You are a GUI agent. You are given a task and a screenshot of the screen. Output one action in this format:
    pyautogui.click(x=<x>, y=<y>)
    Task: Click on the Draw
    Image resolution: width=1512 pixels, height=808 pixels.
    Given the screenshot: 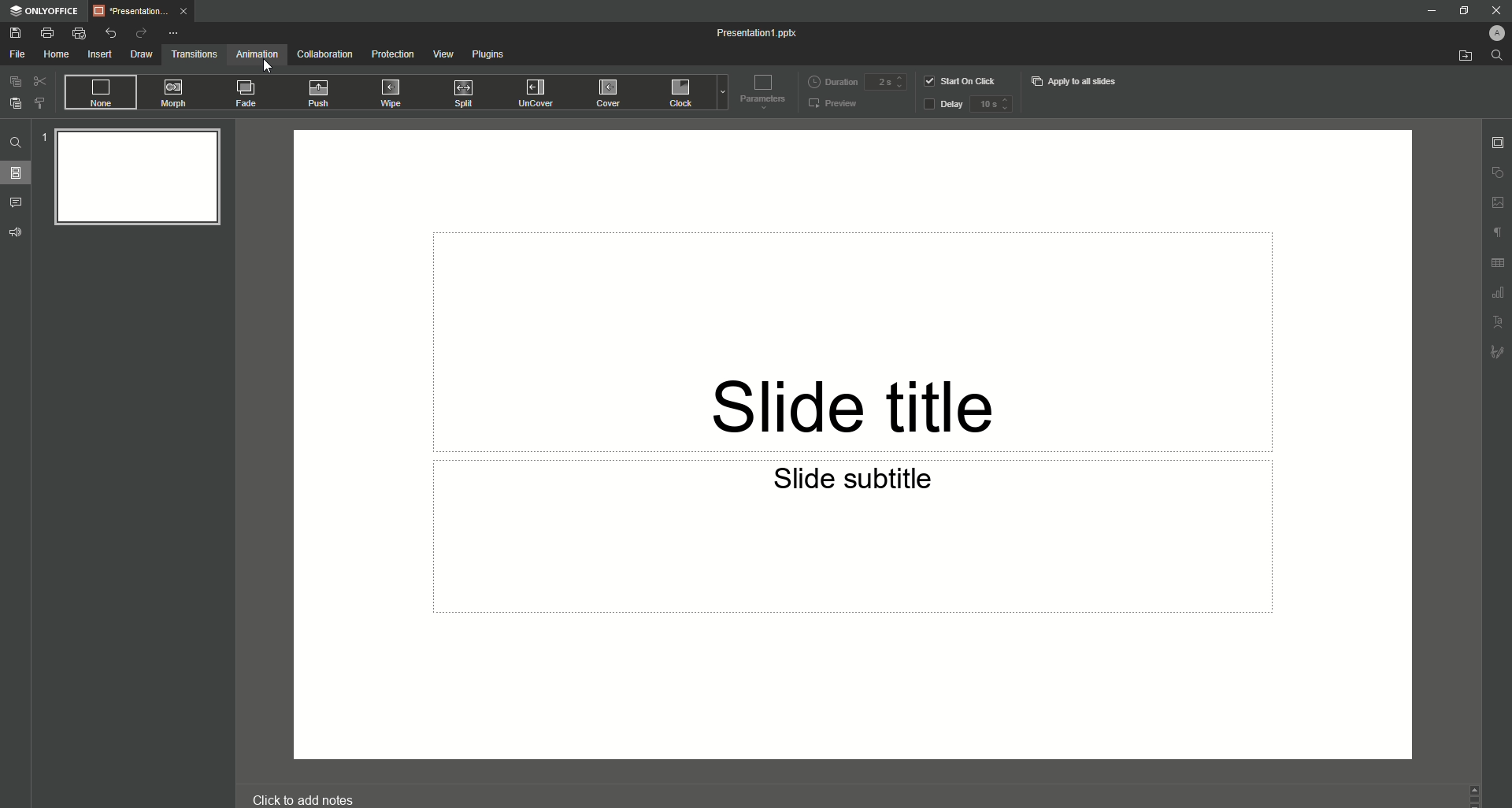 What is the action you would take?
    pyautogui.click(x=139, y=55)
    